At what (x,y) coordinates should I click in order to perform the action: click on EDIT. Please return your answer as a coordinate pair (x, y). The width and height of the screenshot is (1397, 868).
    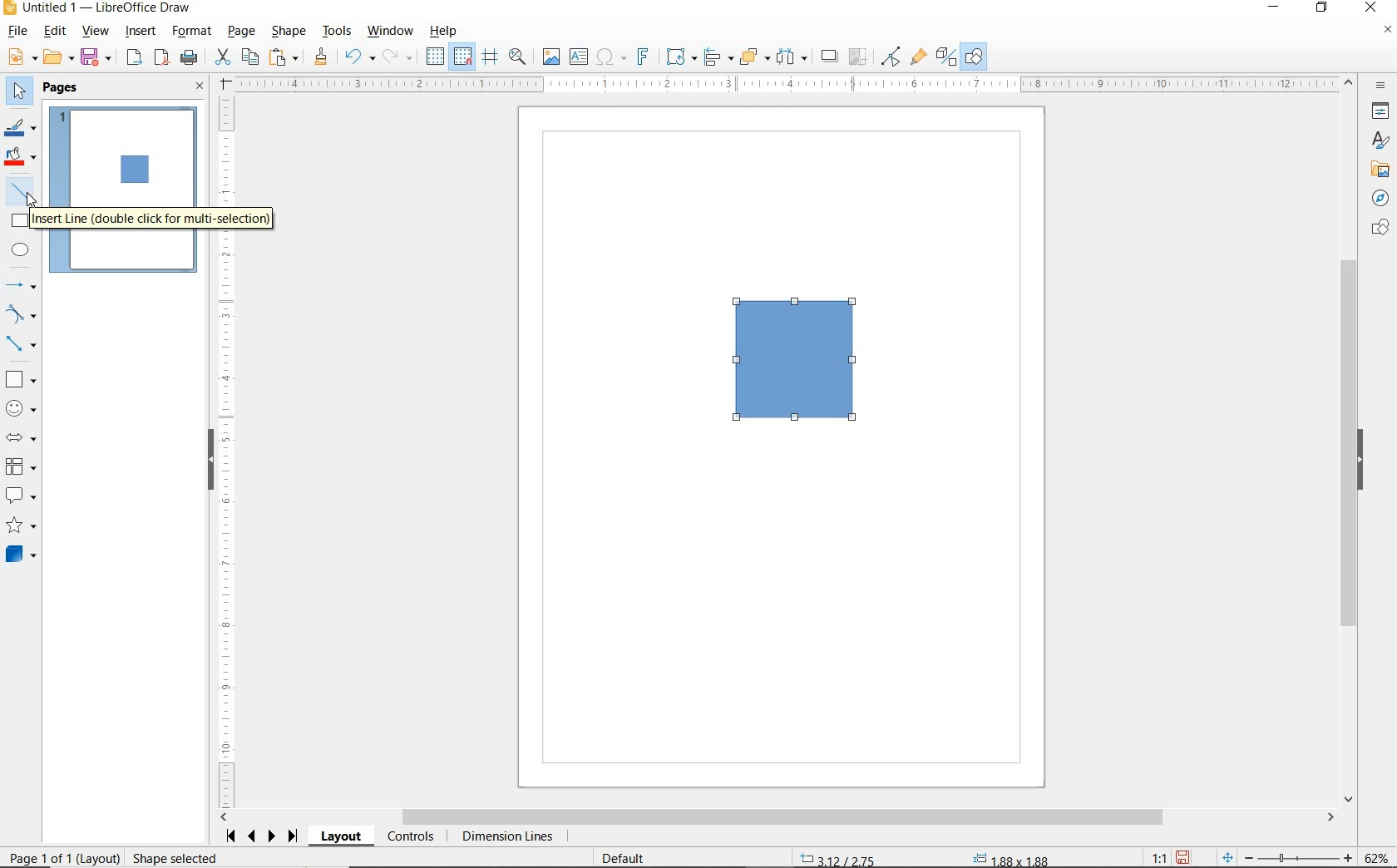
    Looking at the image, I should click on (55, 31).